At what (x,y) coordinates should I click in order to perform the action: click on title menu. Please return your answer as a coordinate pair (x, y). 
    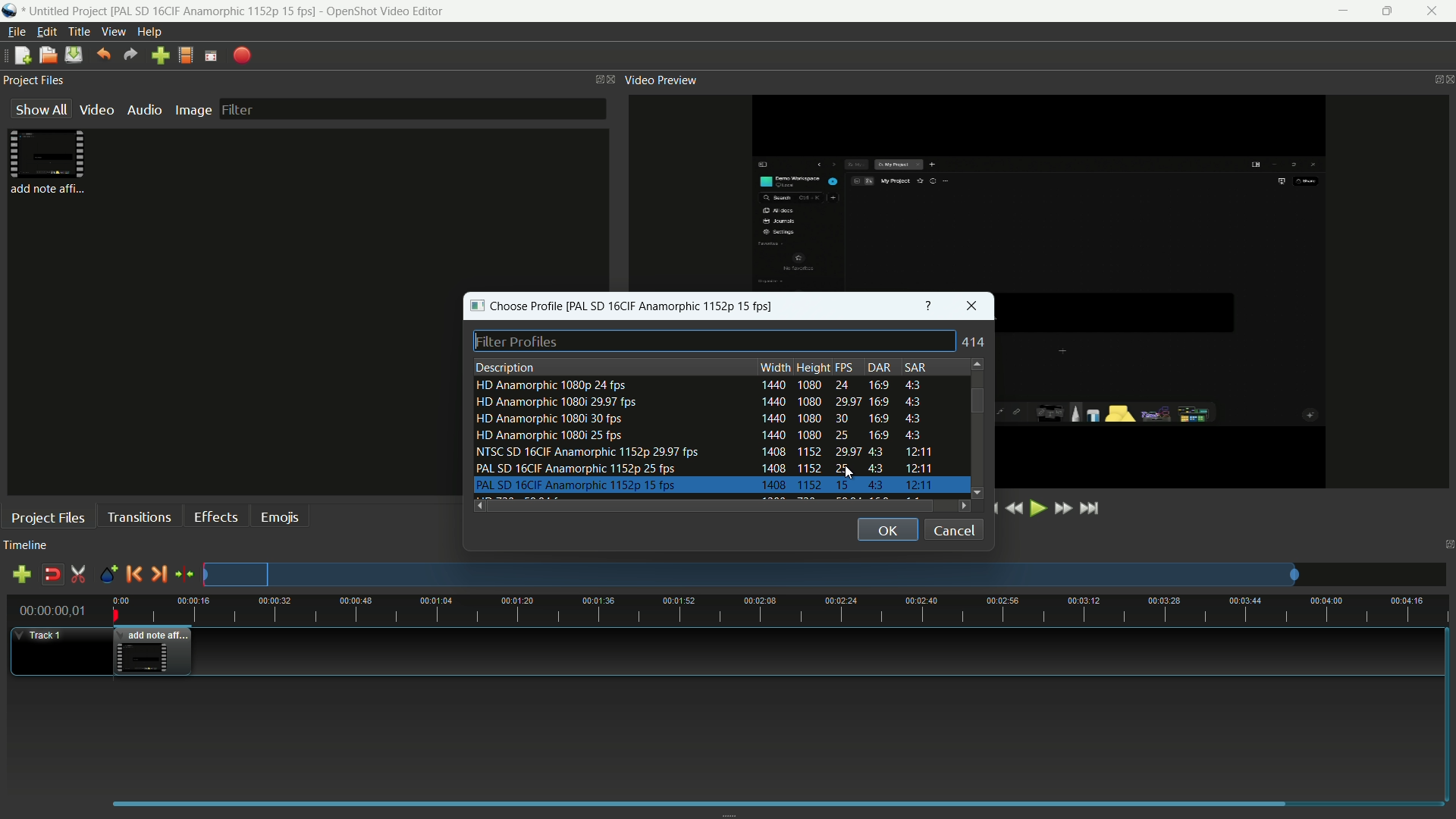
    Looking at the image, I should click on (76, 31).